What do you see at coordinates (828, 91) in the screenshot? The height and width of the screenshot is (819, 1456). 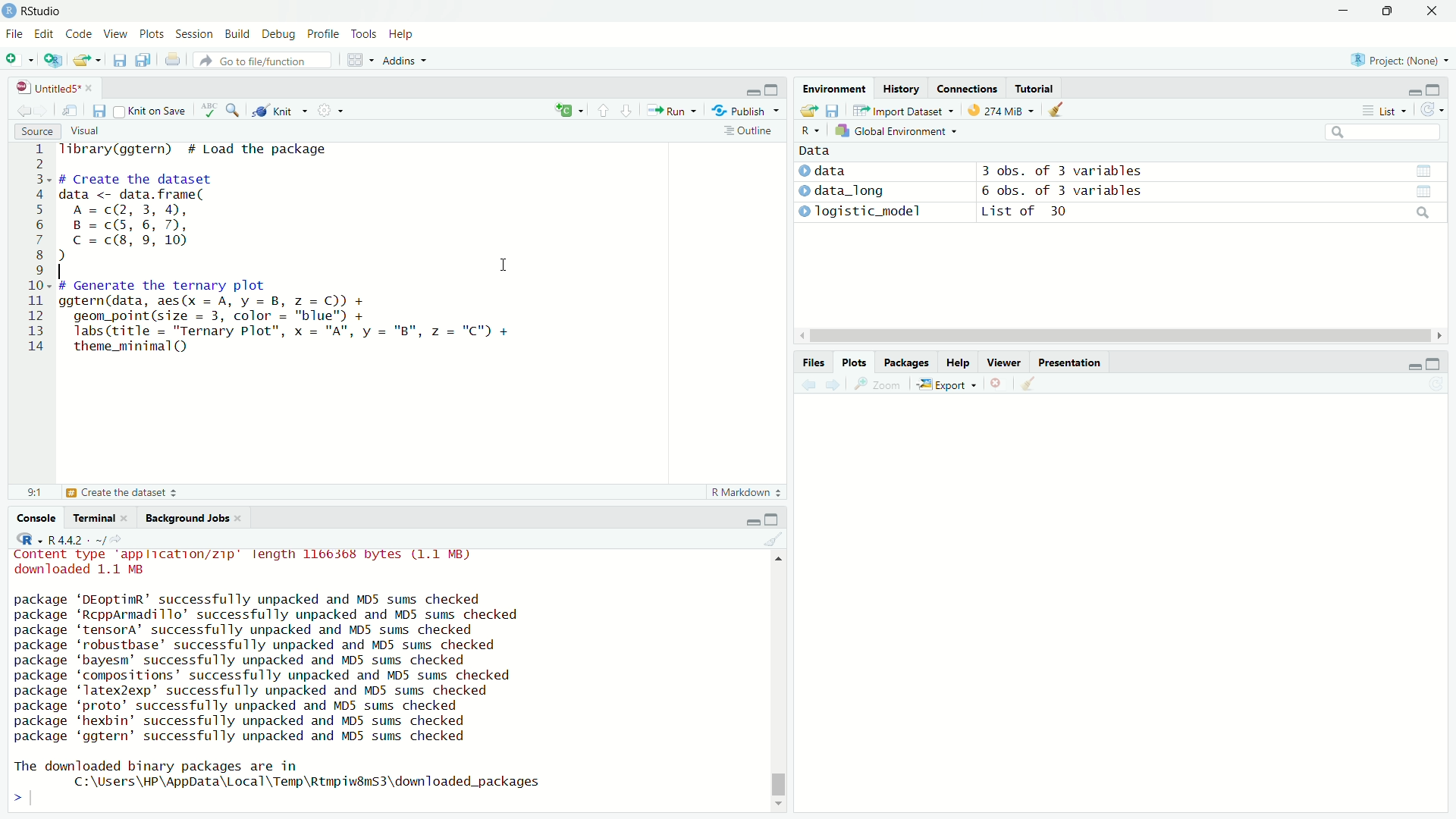 I see `Environment` at bounding box center [828, 91].